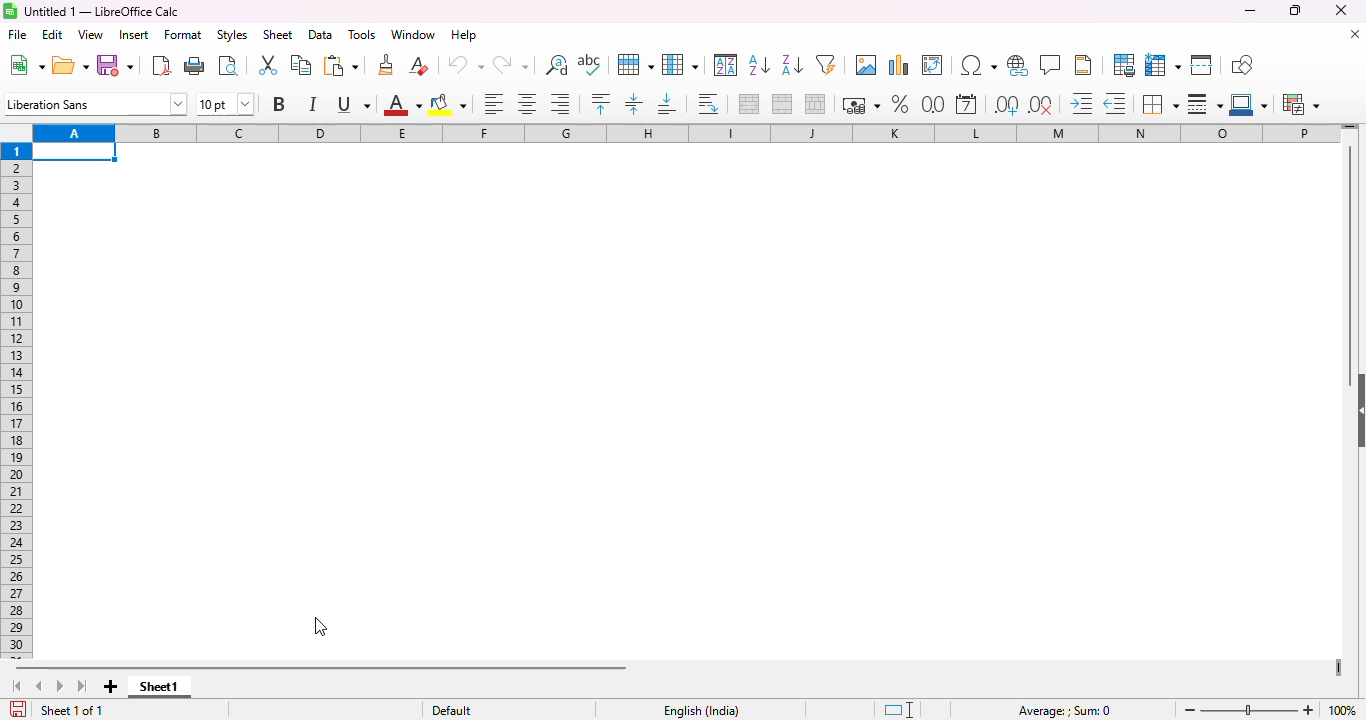 This screenshot has width=1366, height=720. What do you see at coordinates (464, 35) in the screenshot?
I see `help` at bounding box center [464, 35].